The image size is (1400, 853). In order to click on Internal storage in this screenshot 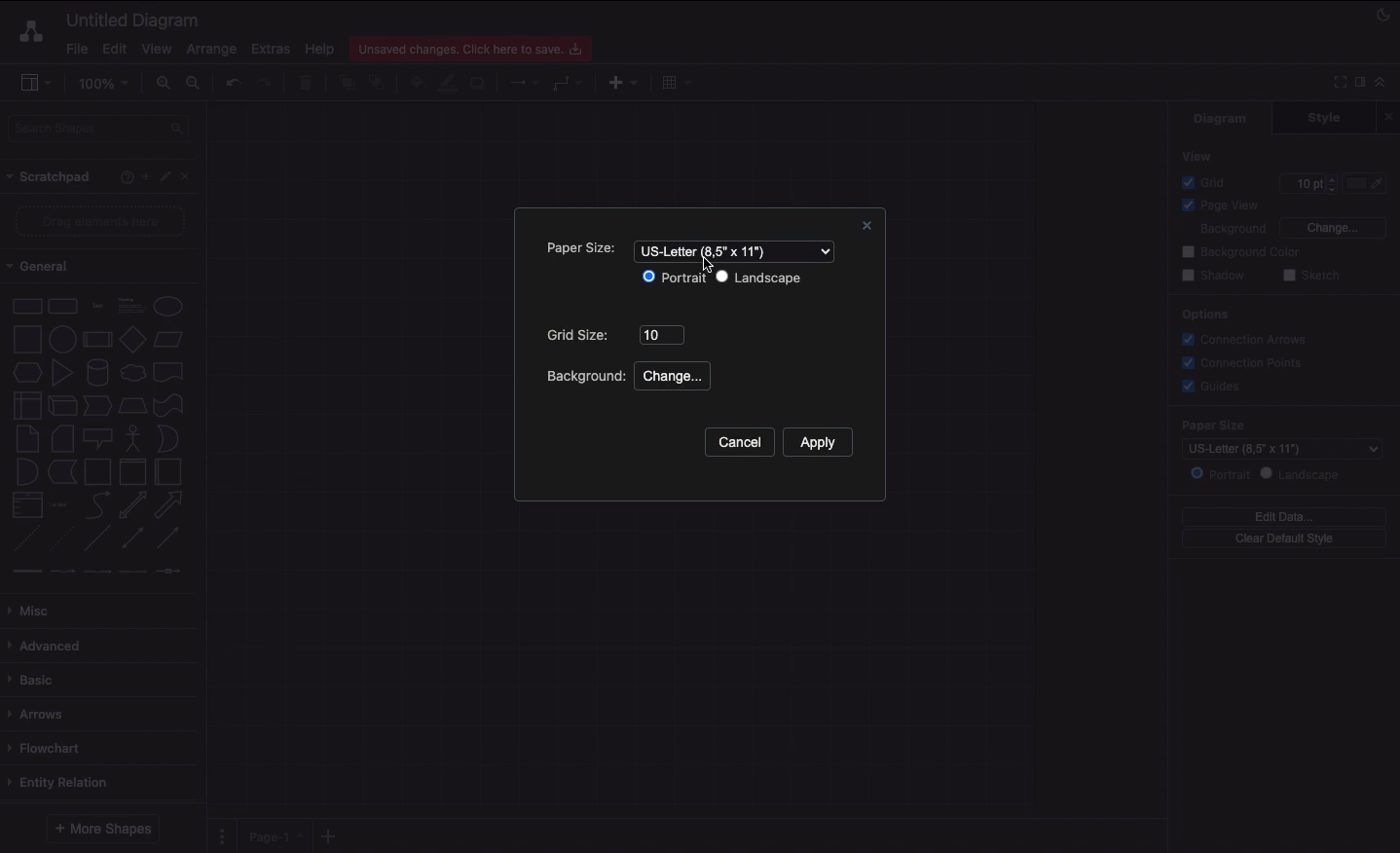, I will do `click(26, 404)`.